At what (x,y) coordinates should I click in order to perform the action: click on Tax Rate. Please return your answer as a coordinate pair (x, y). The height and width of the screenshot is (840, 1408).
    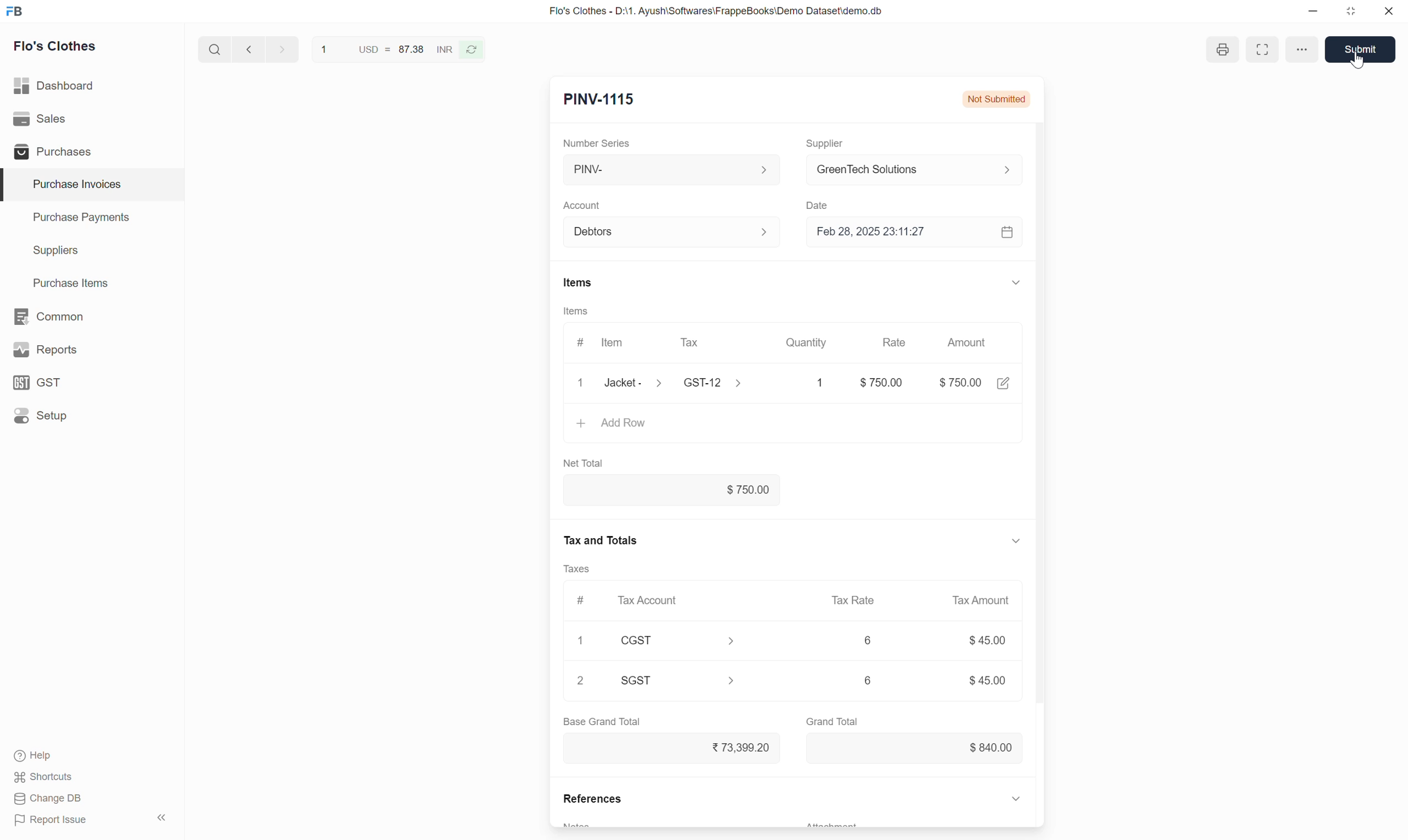
    Looking at the image, I should click on (854, 600).